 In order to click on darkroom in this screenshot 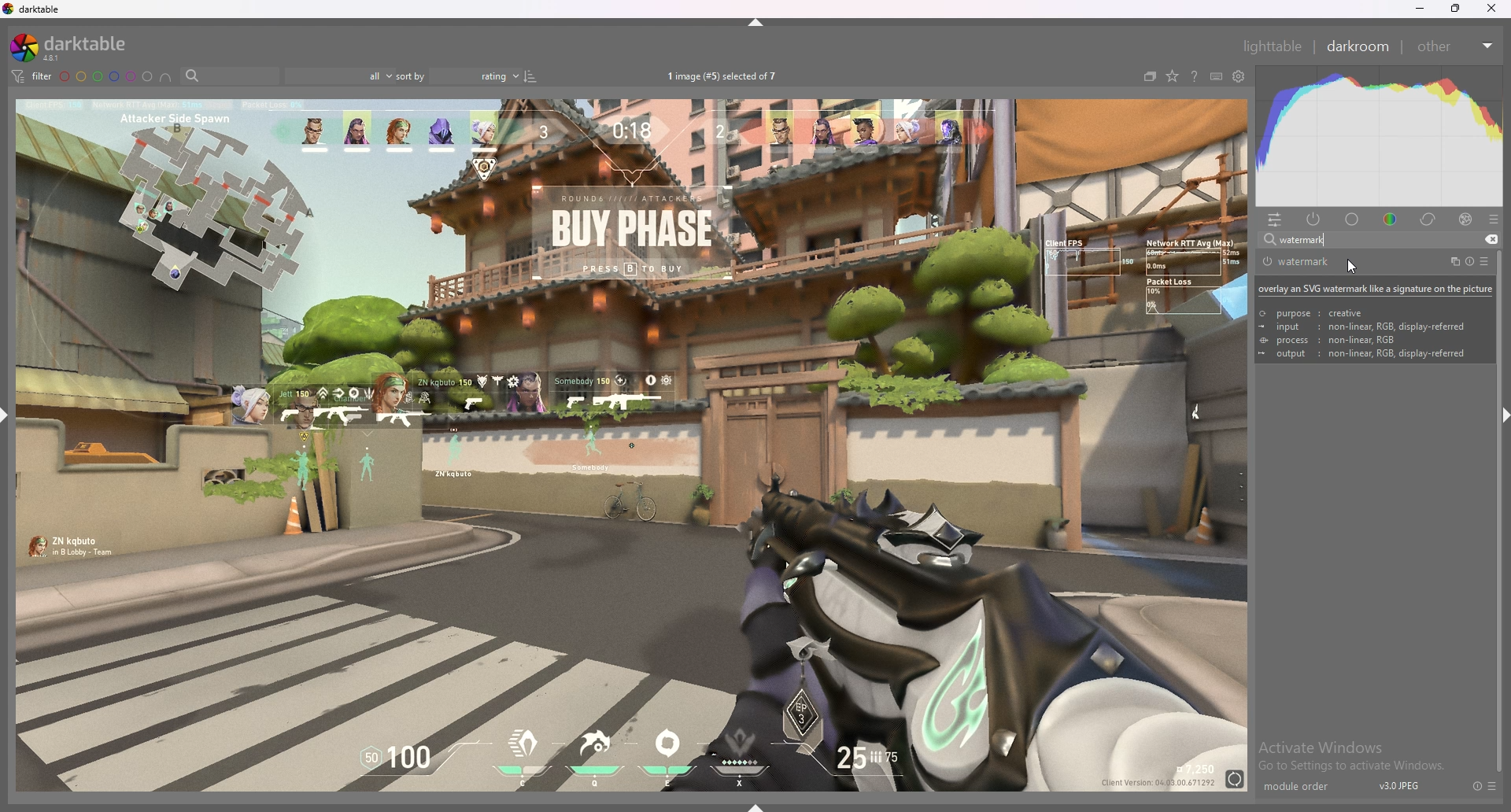, I will do `click(1359, 45)`.